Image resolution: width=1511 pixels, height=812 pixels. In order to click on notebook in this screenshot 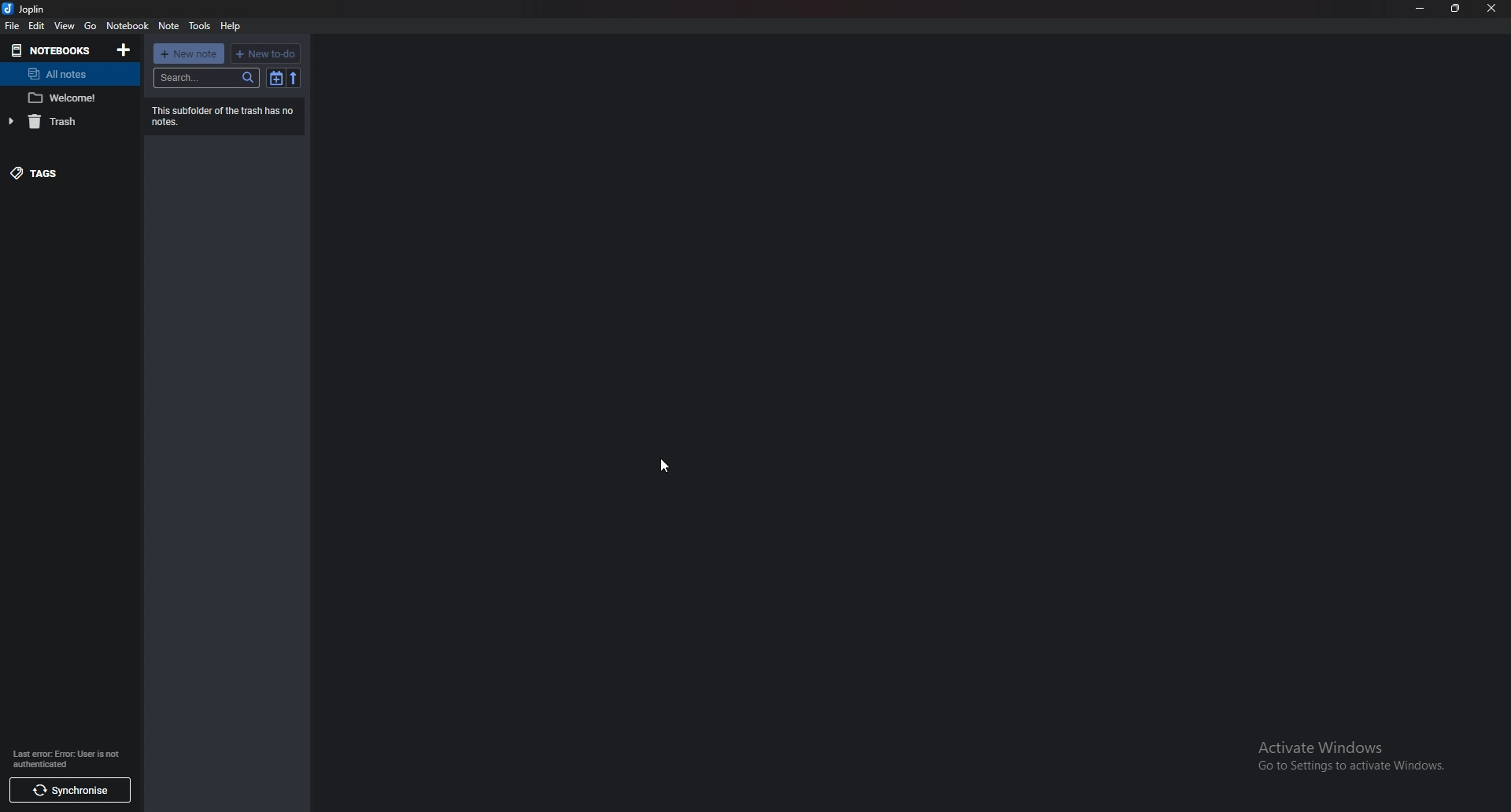, I will do `click(128, 25)`.